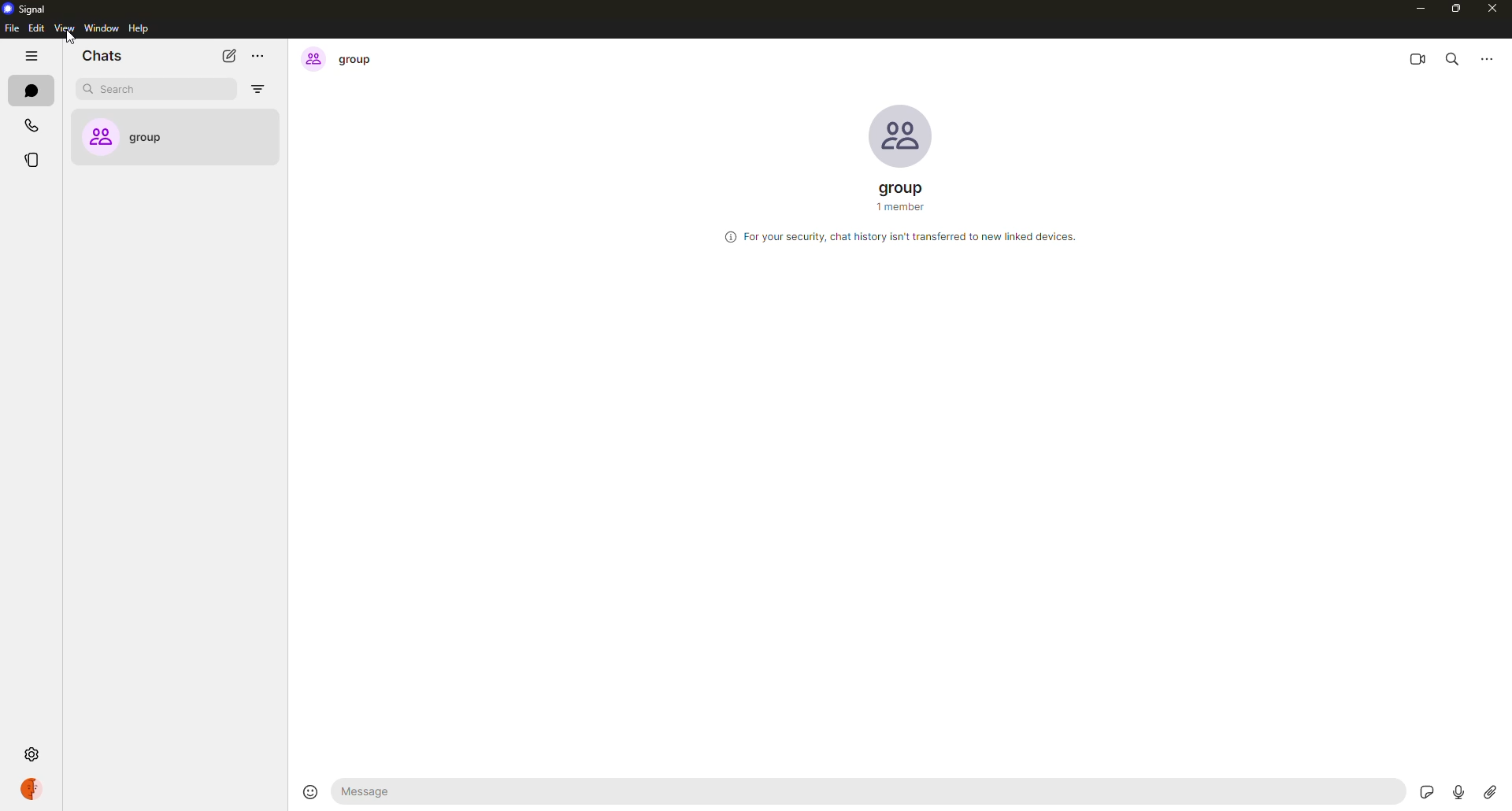  Describe the element at coordinates (262, 56) in the screenshot. I see `more` at that location.